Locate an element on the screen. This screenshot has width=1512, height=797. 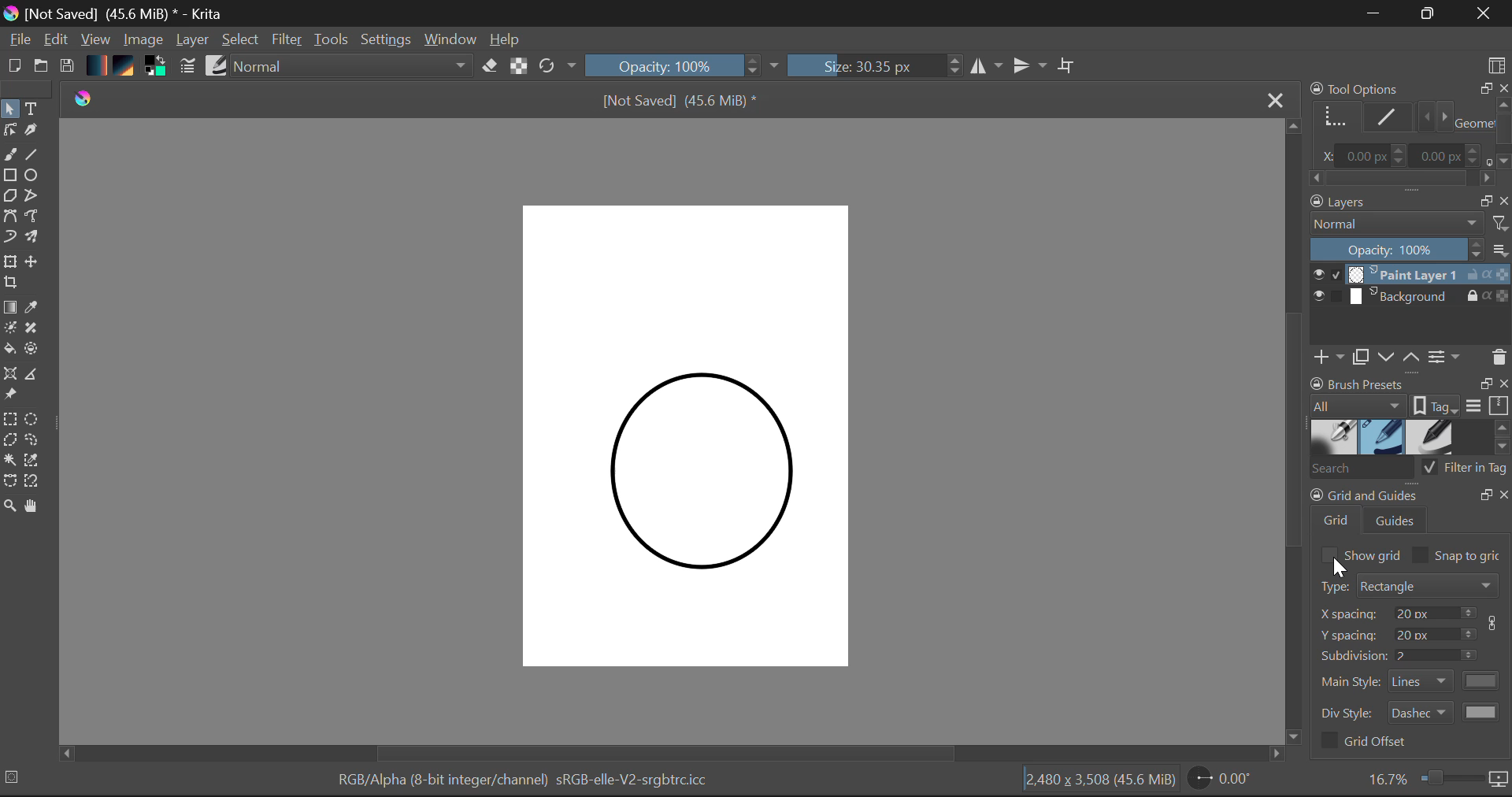
Lock Alpha is located at coordinates (518, 67).